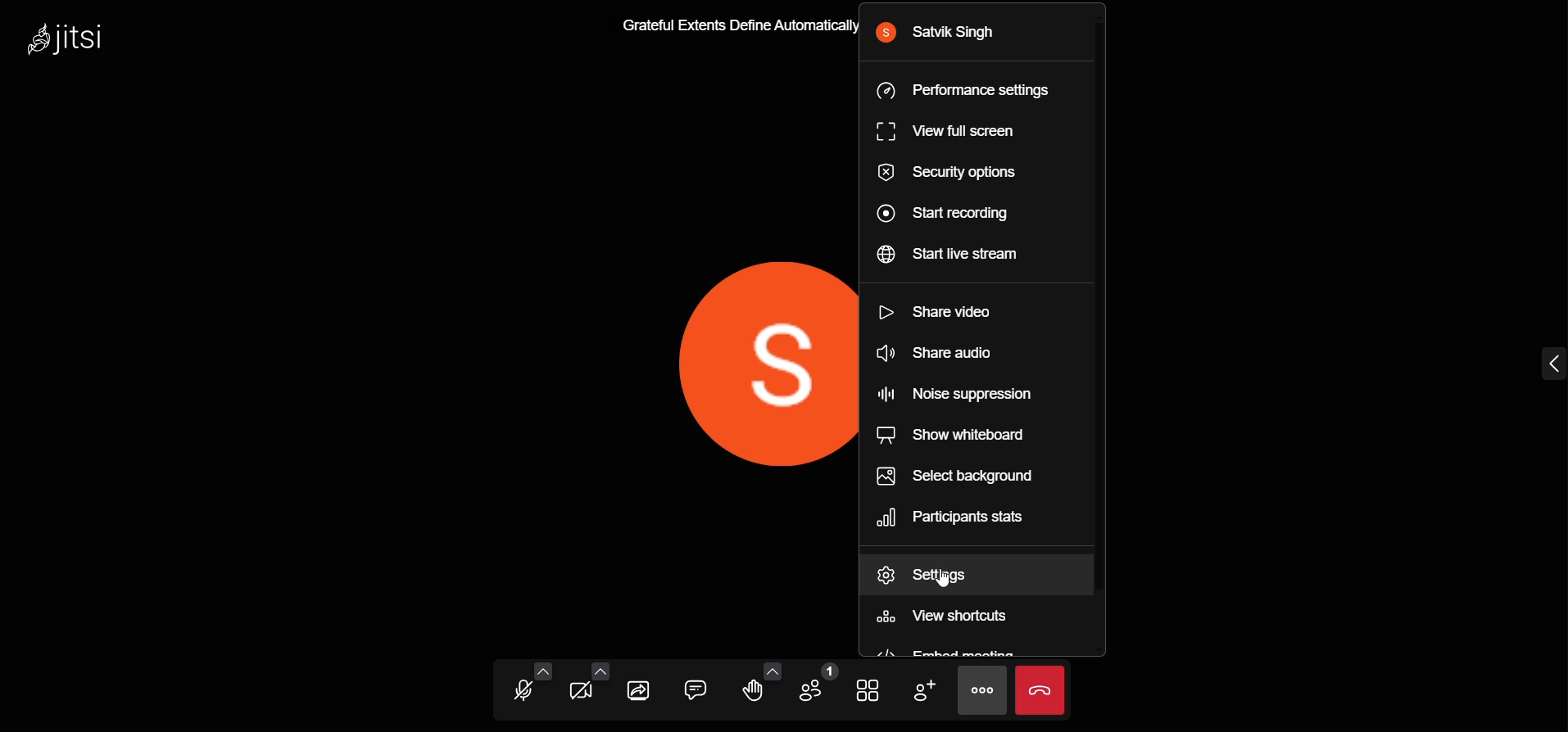 Image resolution: width=1568 pixels, height=732 pixels. Describe the element at coordinates (954, 613) in the screenshot. I see `view shortcuts` at that location.